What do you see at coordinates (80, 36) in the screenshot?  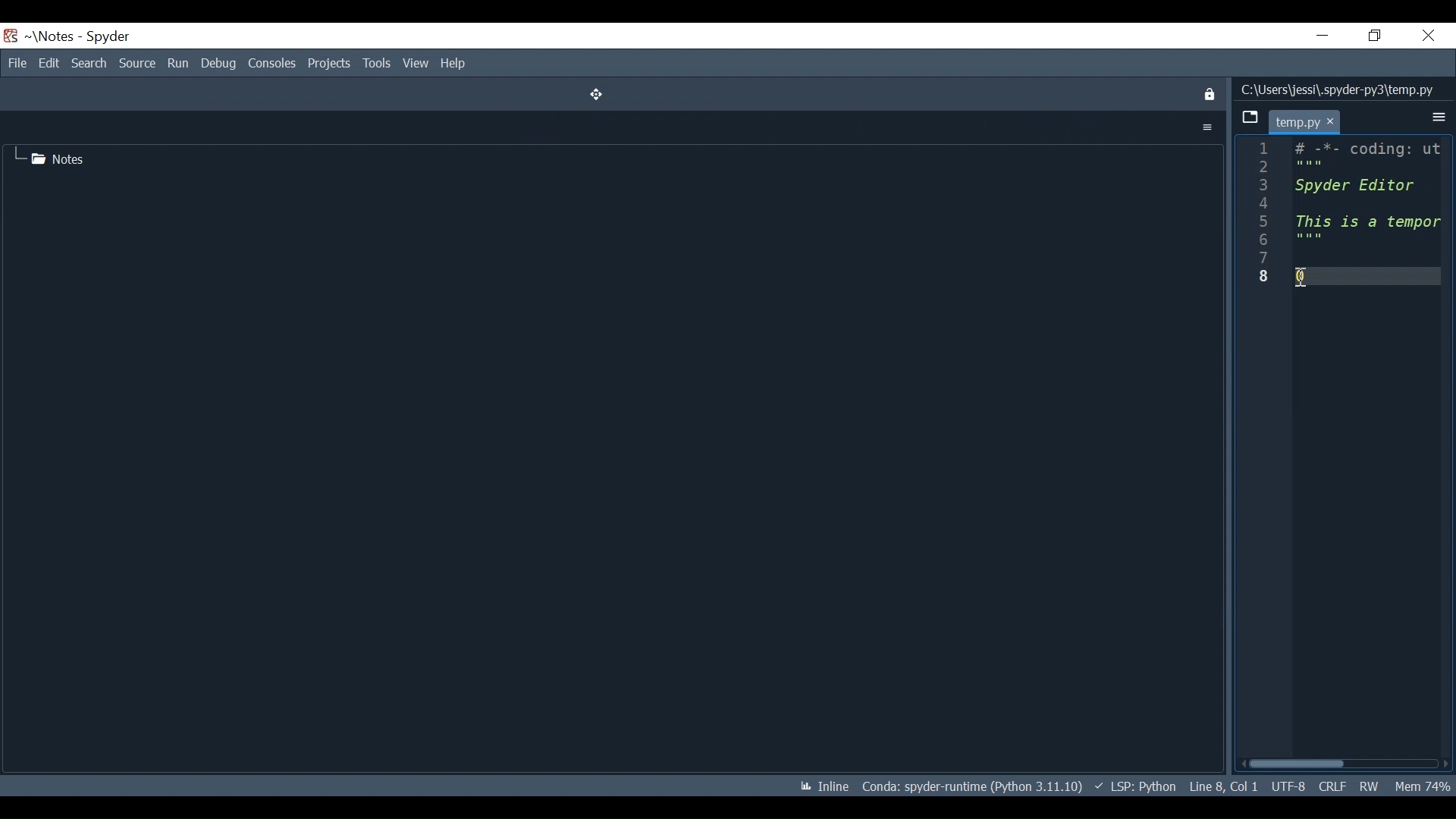 I see `~\Notes- Spyder` at bounding box center [80, 36].